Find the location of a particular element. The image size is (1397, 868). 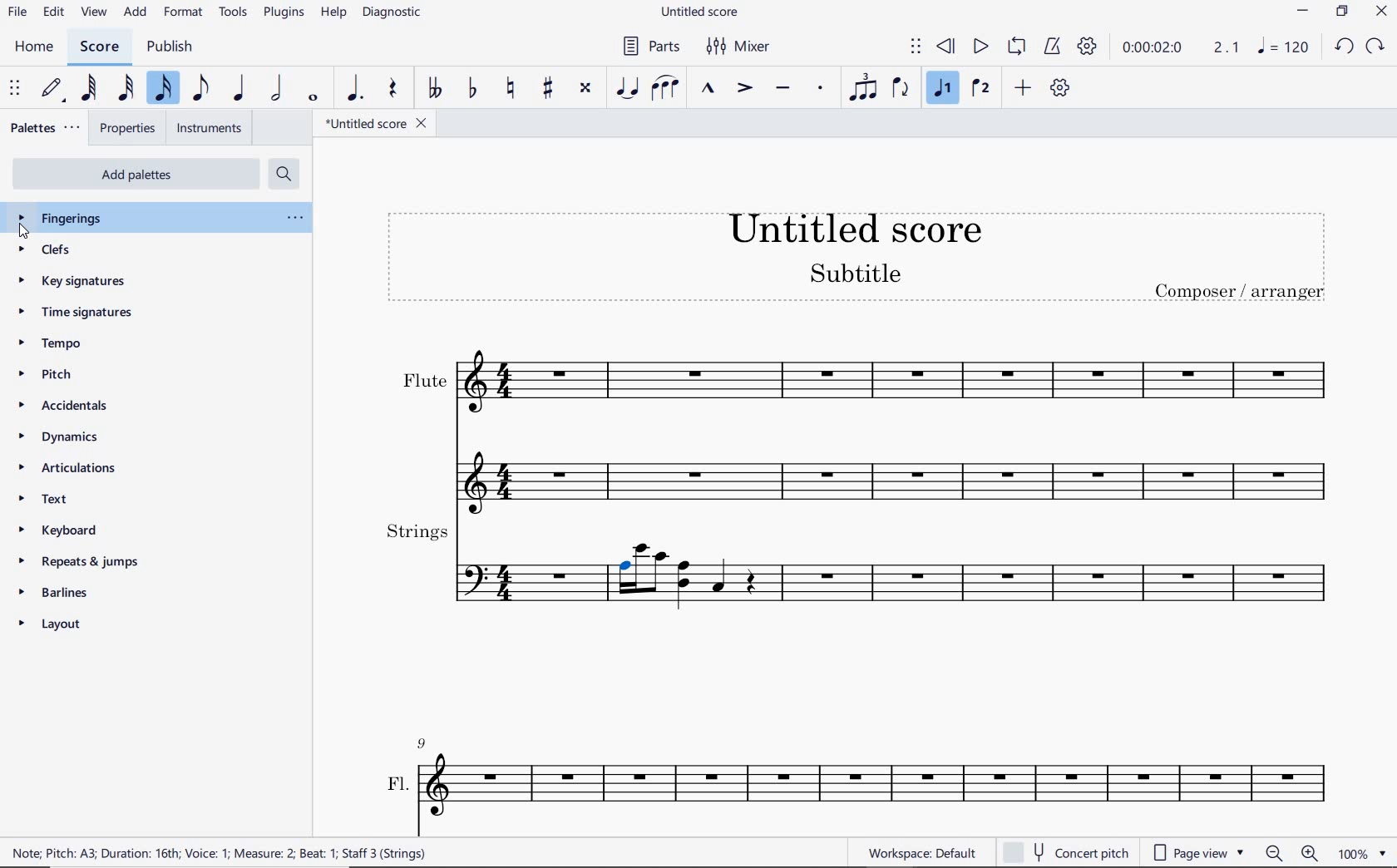

cursor is located at coordinates (26, 235).